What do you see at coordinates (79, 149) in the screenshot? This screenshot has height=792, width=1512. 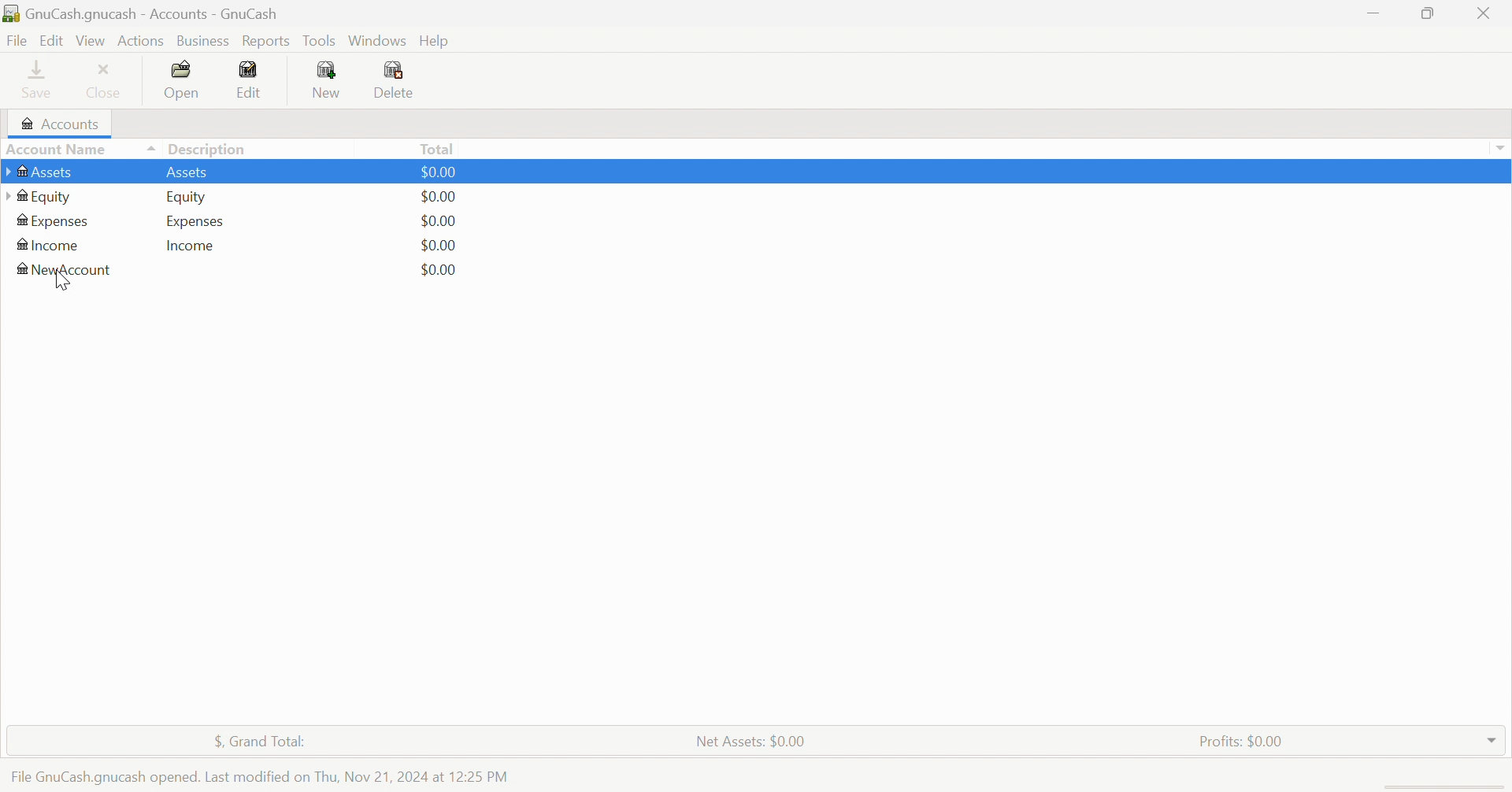 I see `Account name` at bounding box center [79, 149].